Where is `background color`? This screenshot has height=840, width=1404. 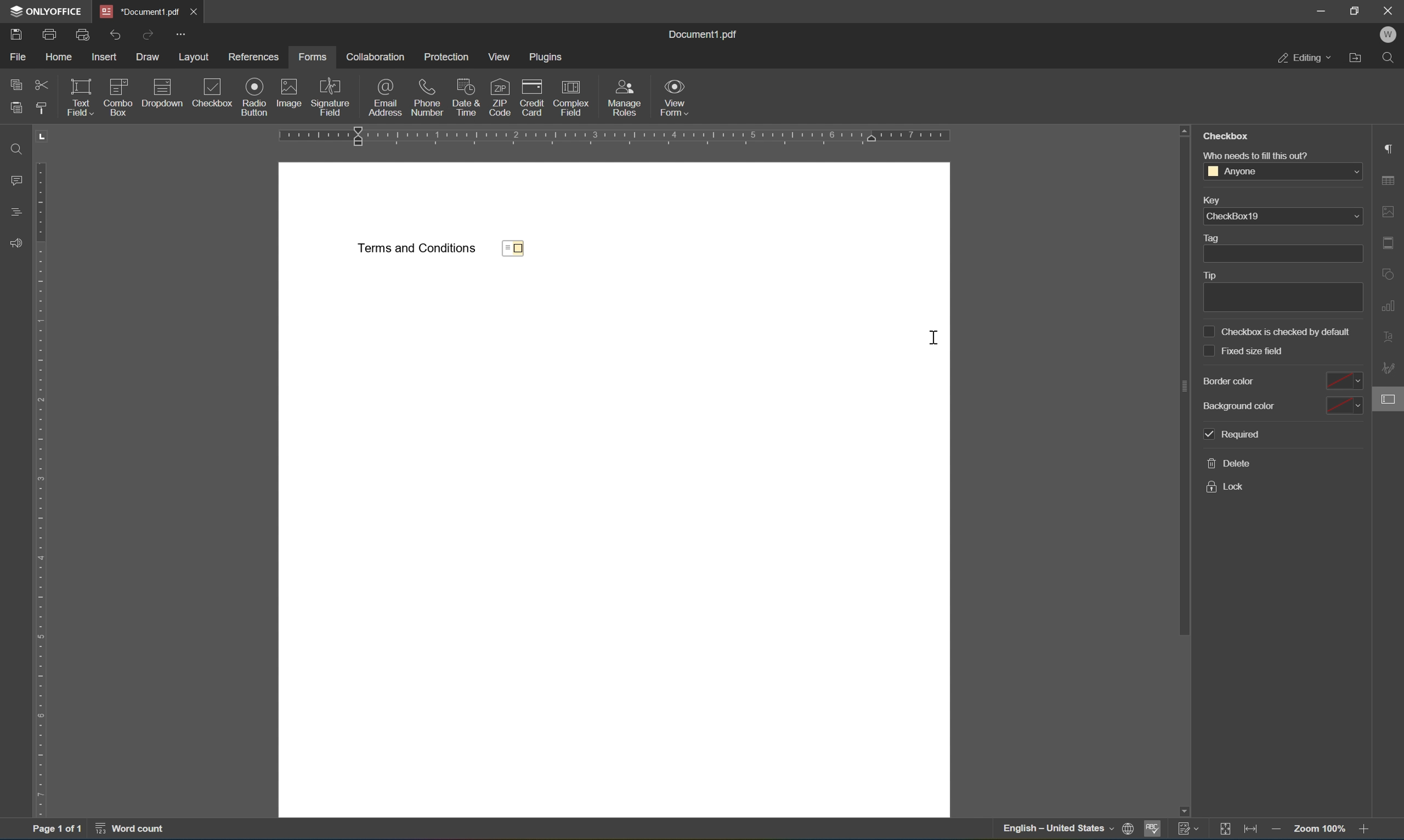 background color is located at coordinates (1281, 405).